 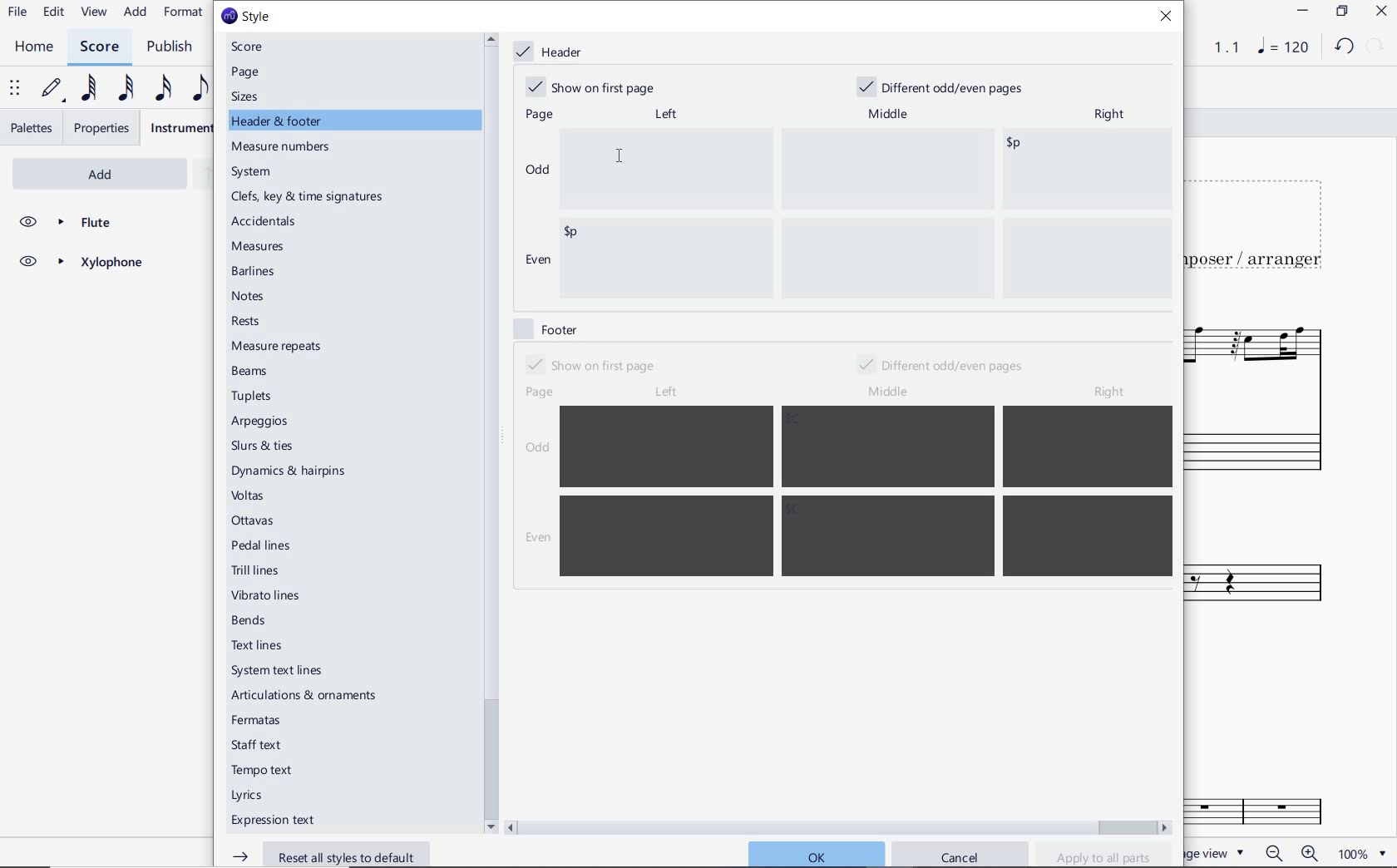 What do you see at coordinates (664, 114) in the screenshot?
I see `left` at bounding box center [664, 114].